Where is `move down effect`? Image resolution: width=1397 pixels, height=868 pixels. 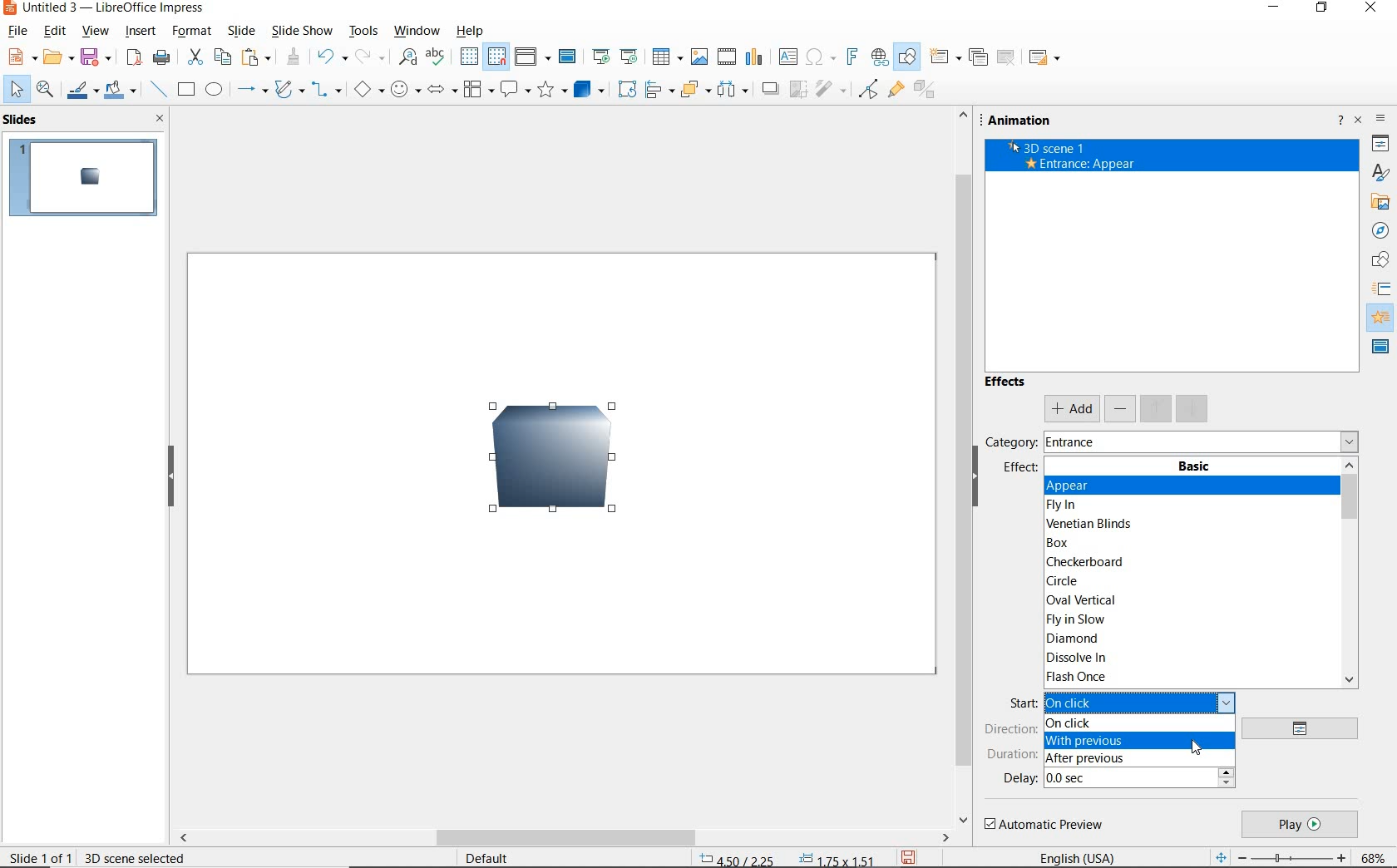 move down effect is located at coordinates (1191, 407).